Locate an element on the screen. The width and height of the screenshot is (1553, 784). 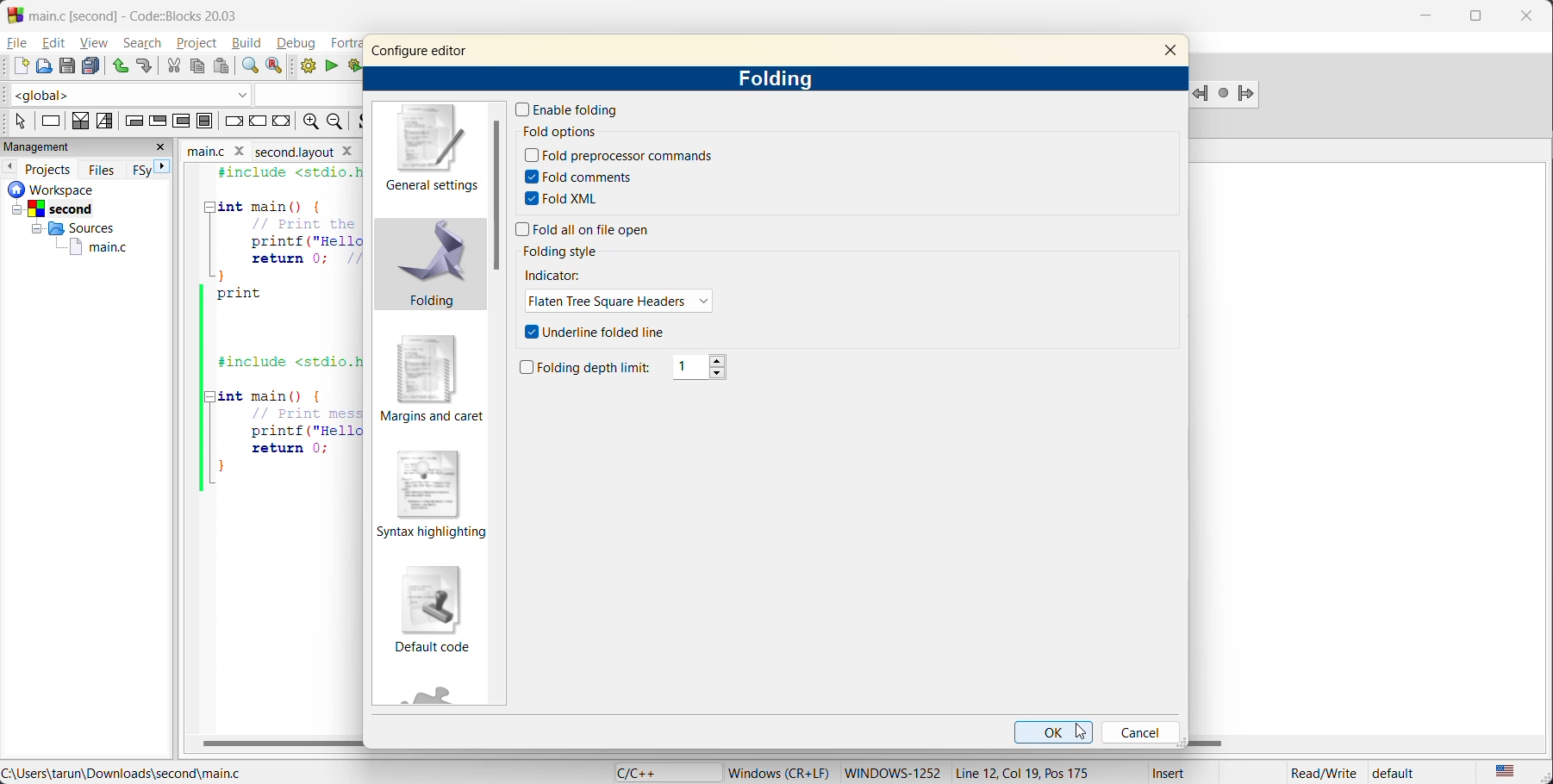
fold comments is located at coordinates (581, 177).